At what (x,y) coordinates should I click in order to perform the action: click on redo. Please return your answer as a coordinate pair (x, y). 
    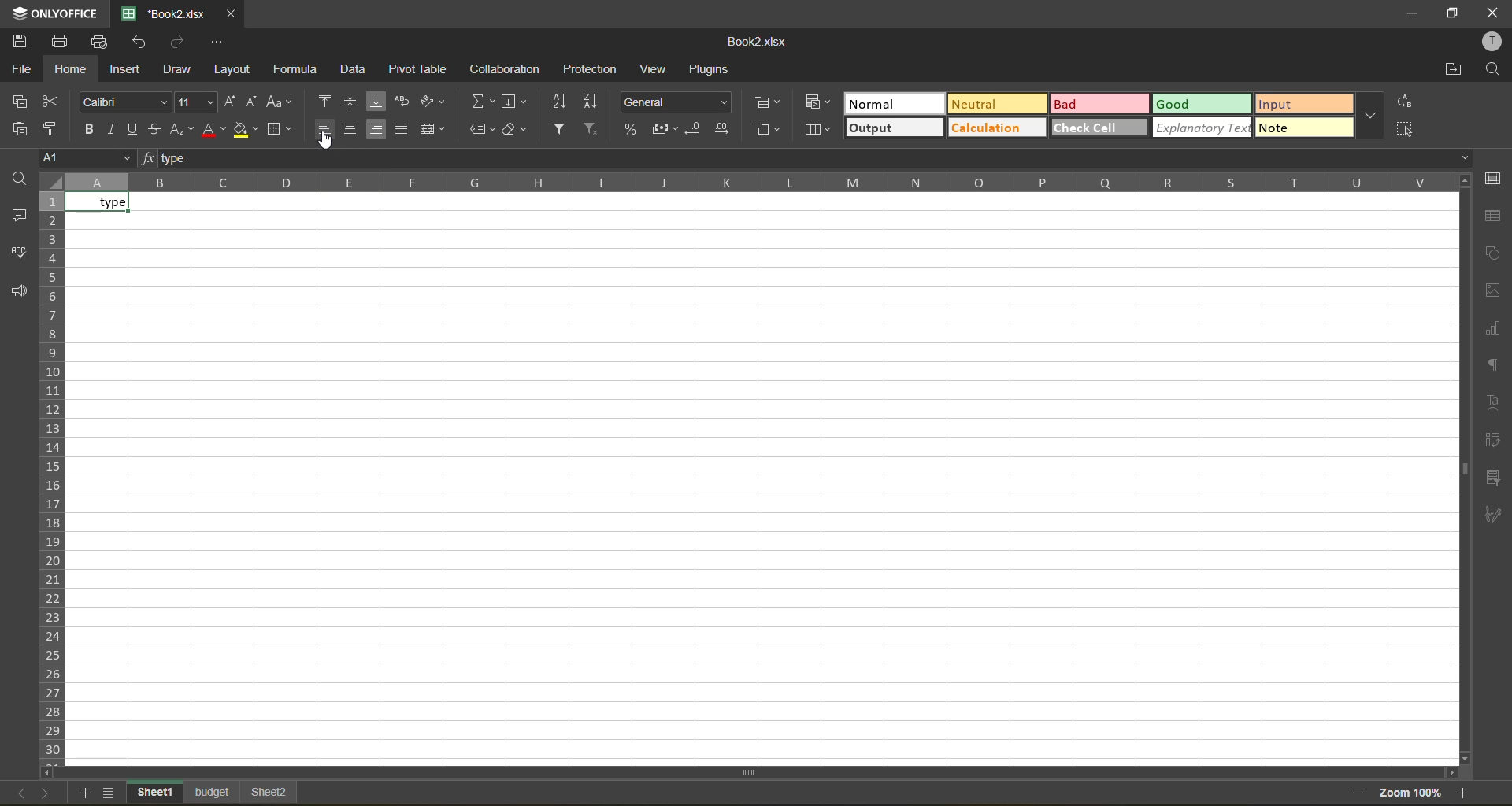
    Looking at the image, I should click on (180, 42).